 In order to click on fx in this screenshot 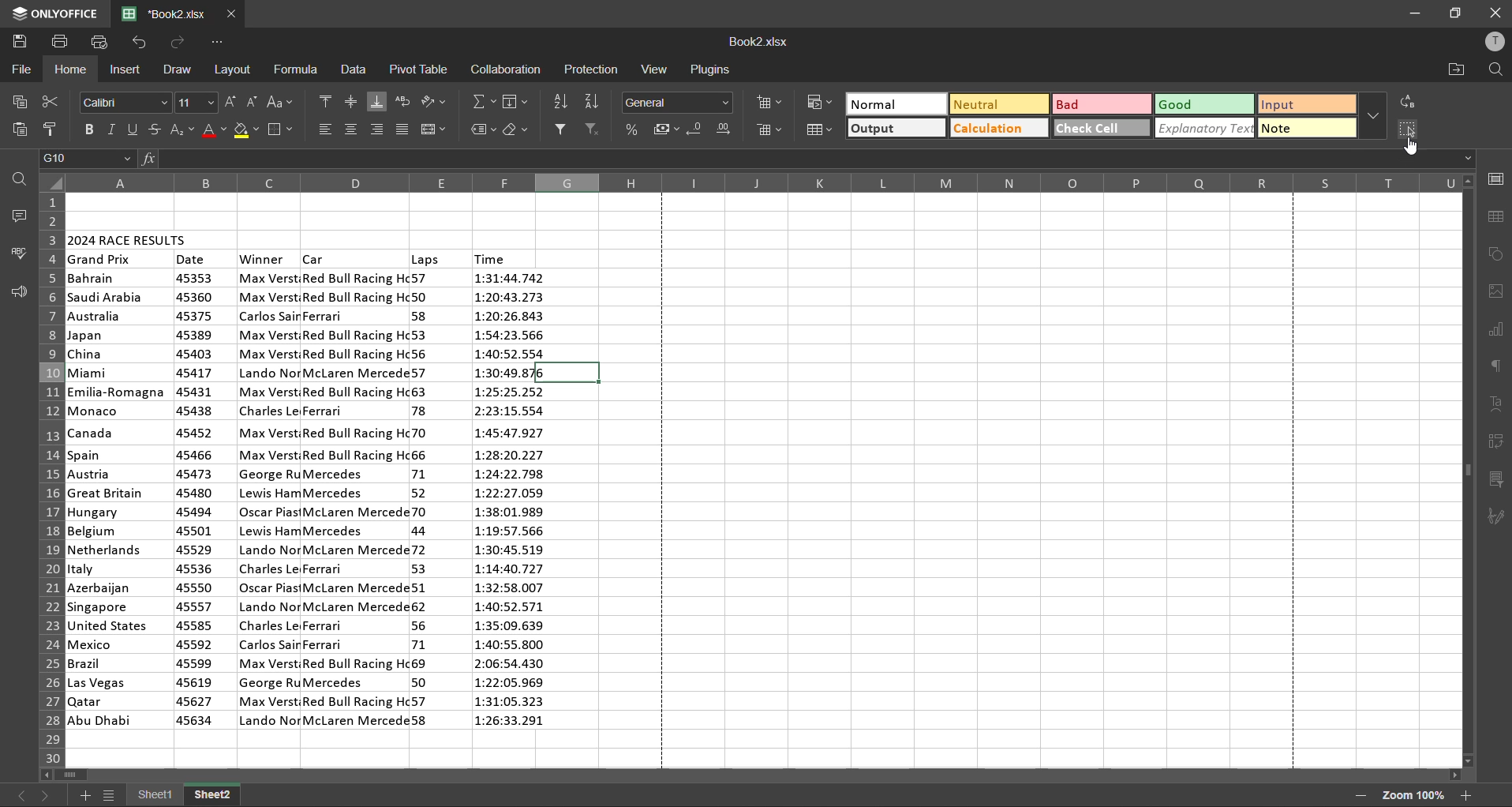, I will do `click(151, 160)`.